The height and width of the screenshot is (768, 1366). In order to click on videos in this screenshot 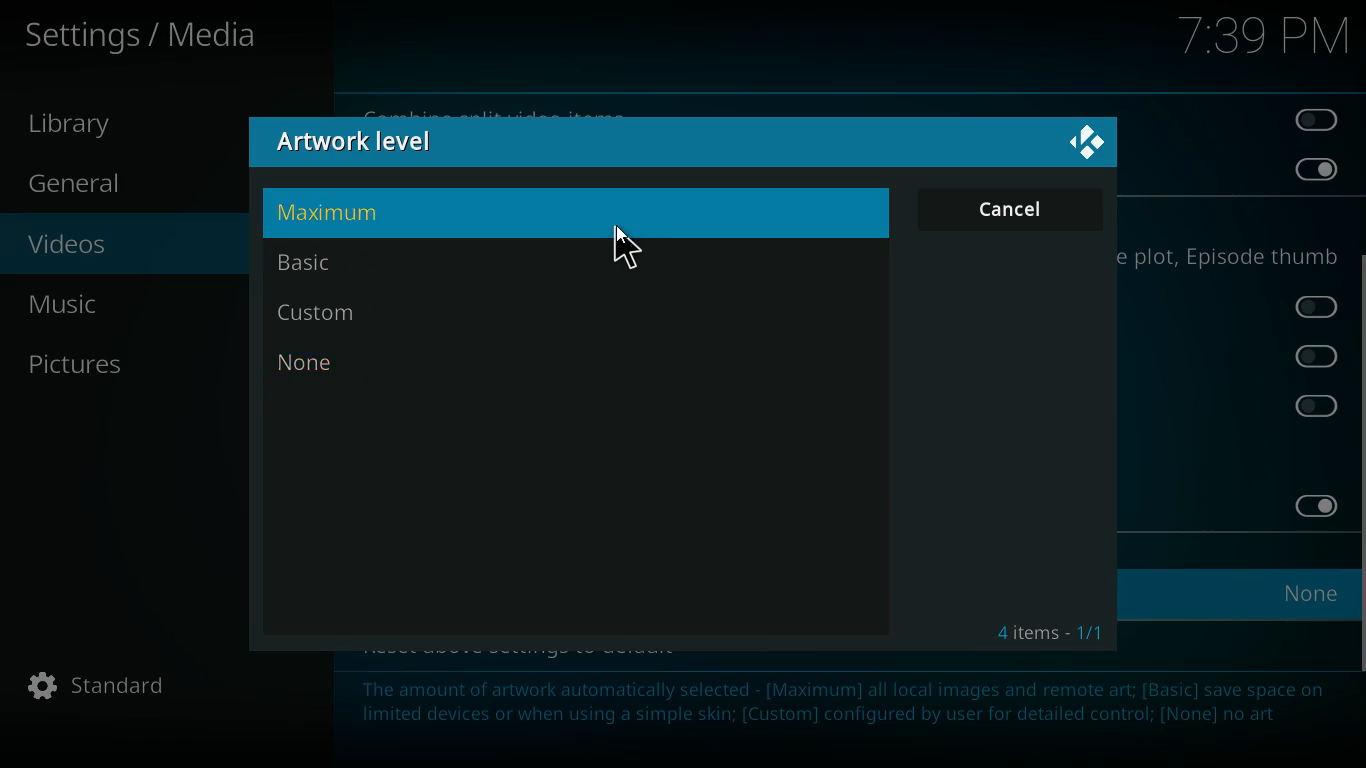, I will do `click(113, 246)`.